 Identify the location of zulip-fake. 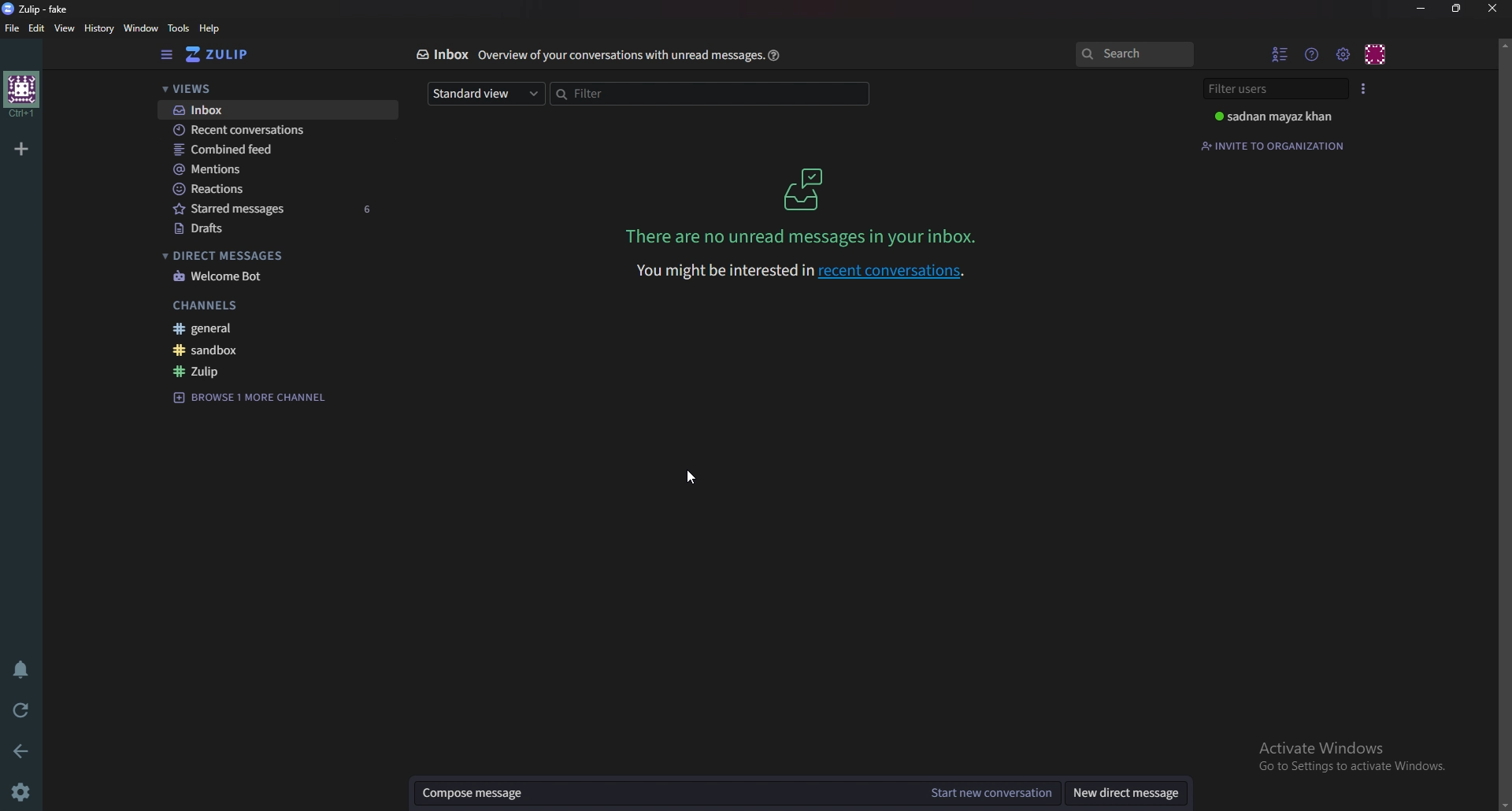
(42, 8).